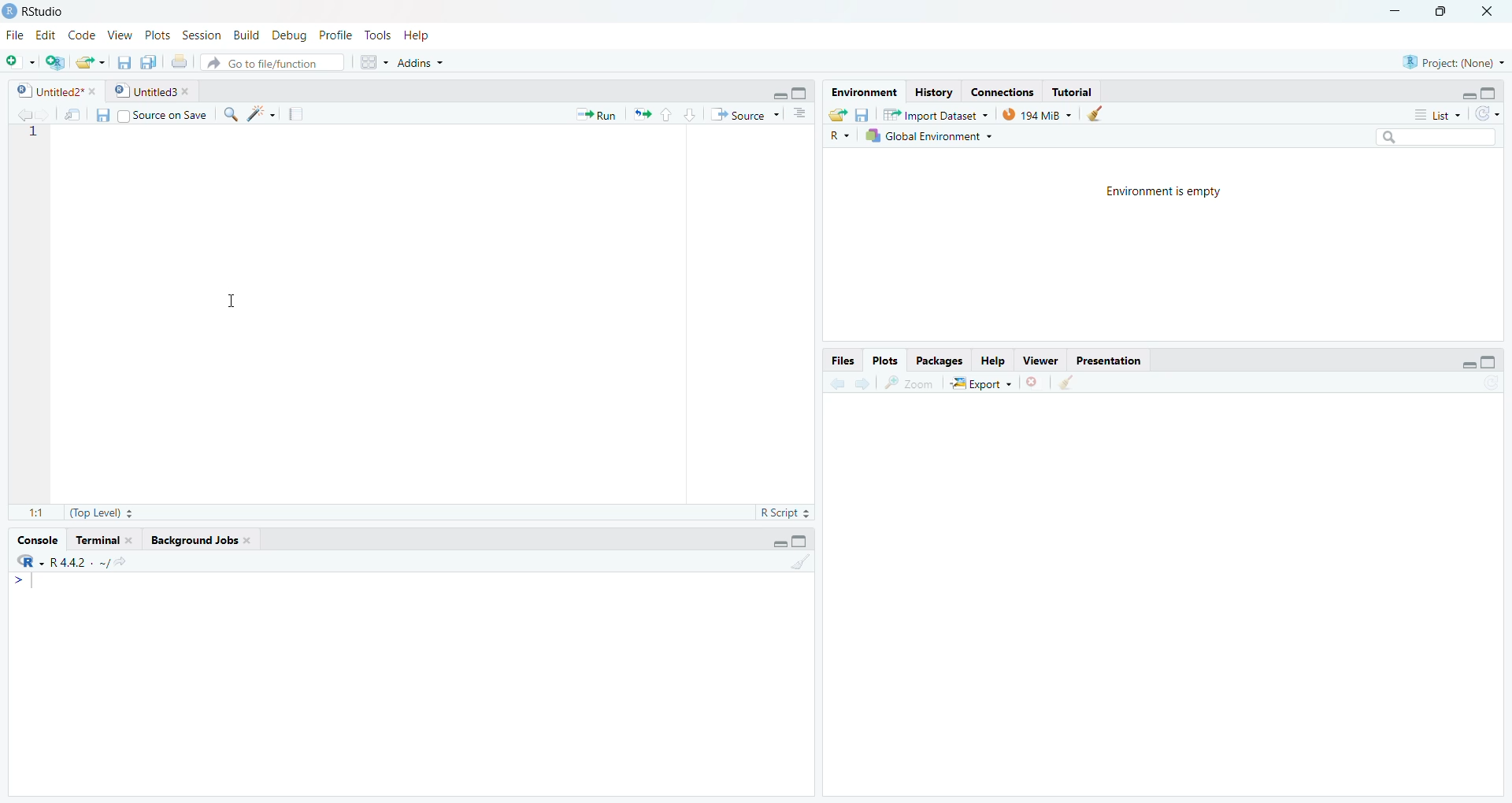 The width and height of the screenshot is (1512, 803). What do you see at coordinates (939, 361) in the screenshot?
I see `Packages.` at bounding box center [939, 361].